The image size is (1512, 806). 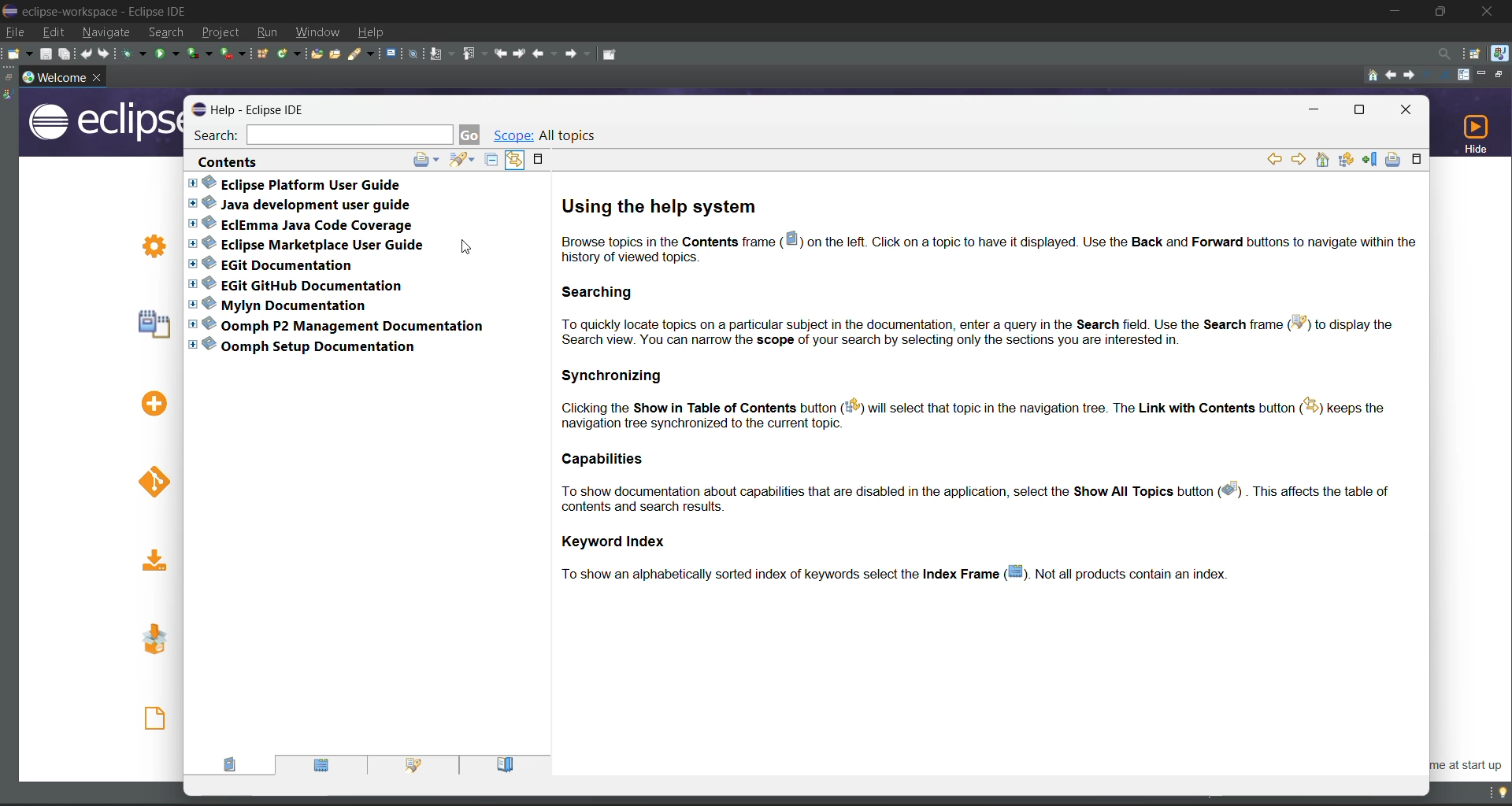 I want to click on edit, so click(x=57, y=33).